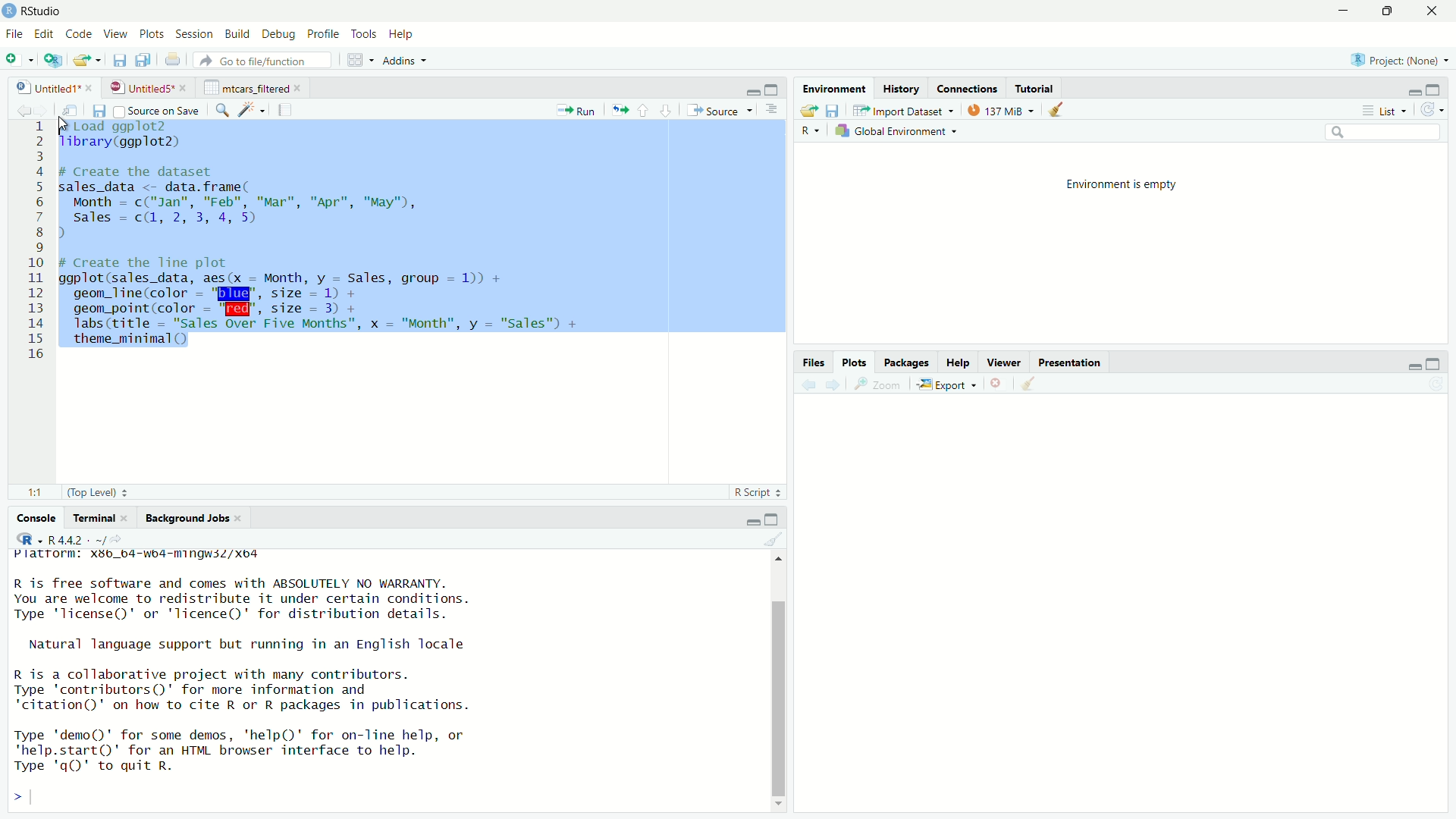 This screenshot has height=819, width=1456. Describe the element at coordinates (620, 110) in the screenshot. I see `re-run the previous section` at that location.